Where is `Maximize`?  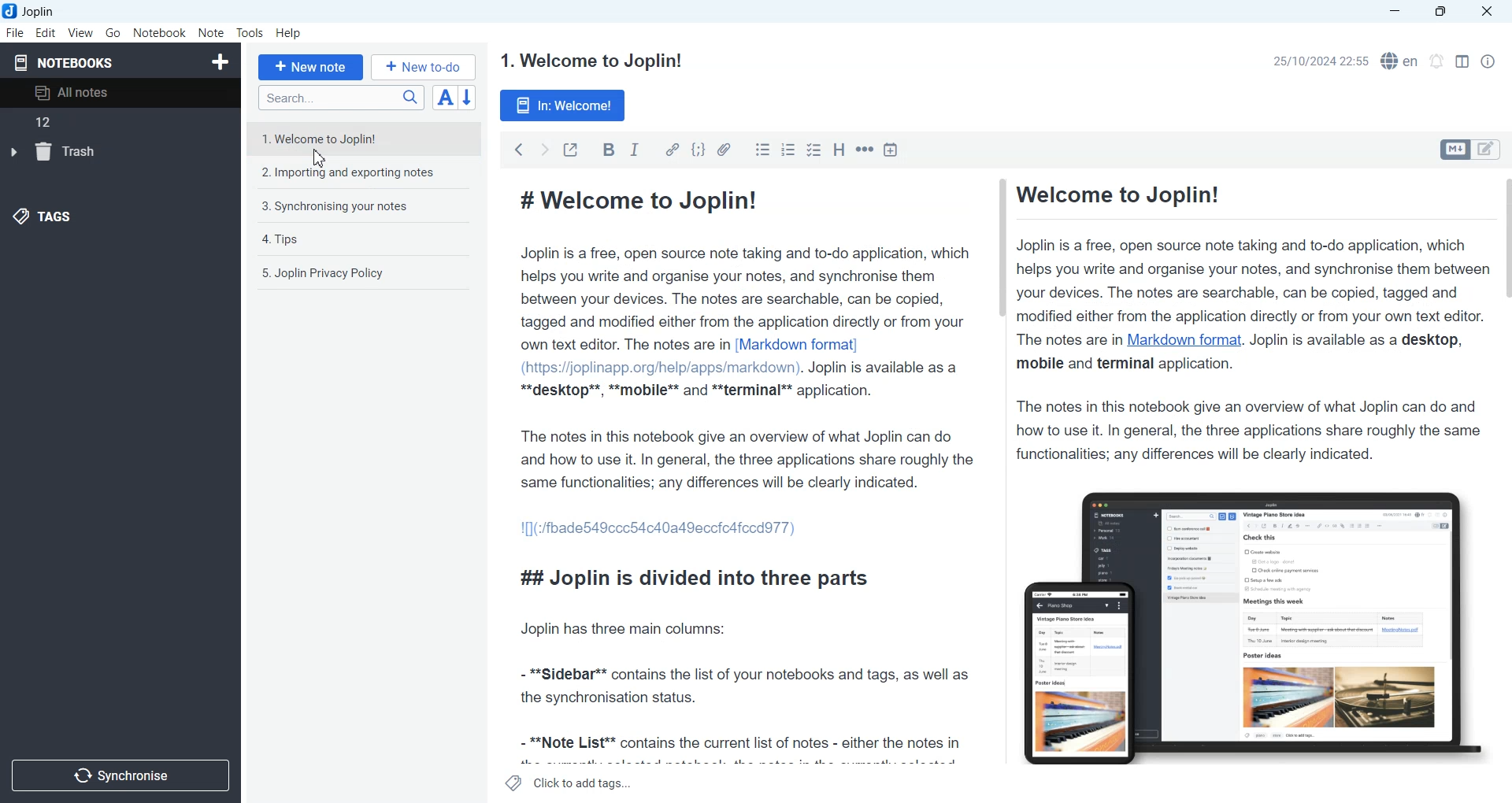
Maximize is located at coordinates (1443, 12).